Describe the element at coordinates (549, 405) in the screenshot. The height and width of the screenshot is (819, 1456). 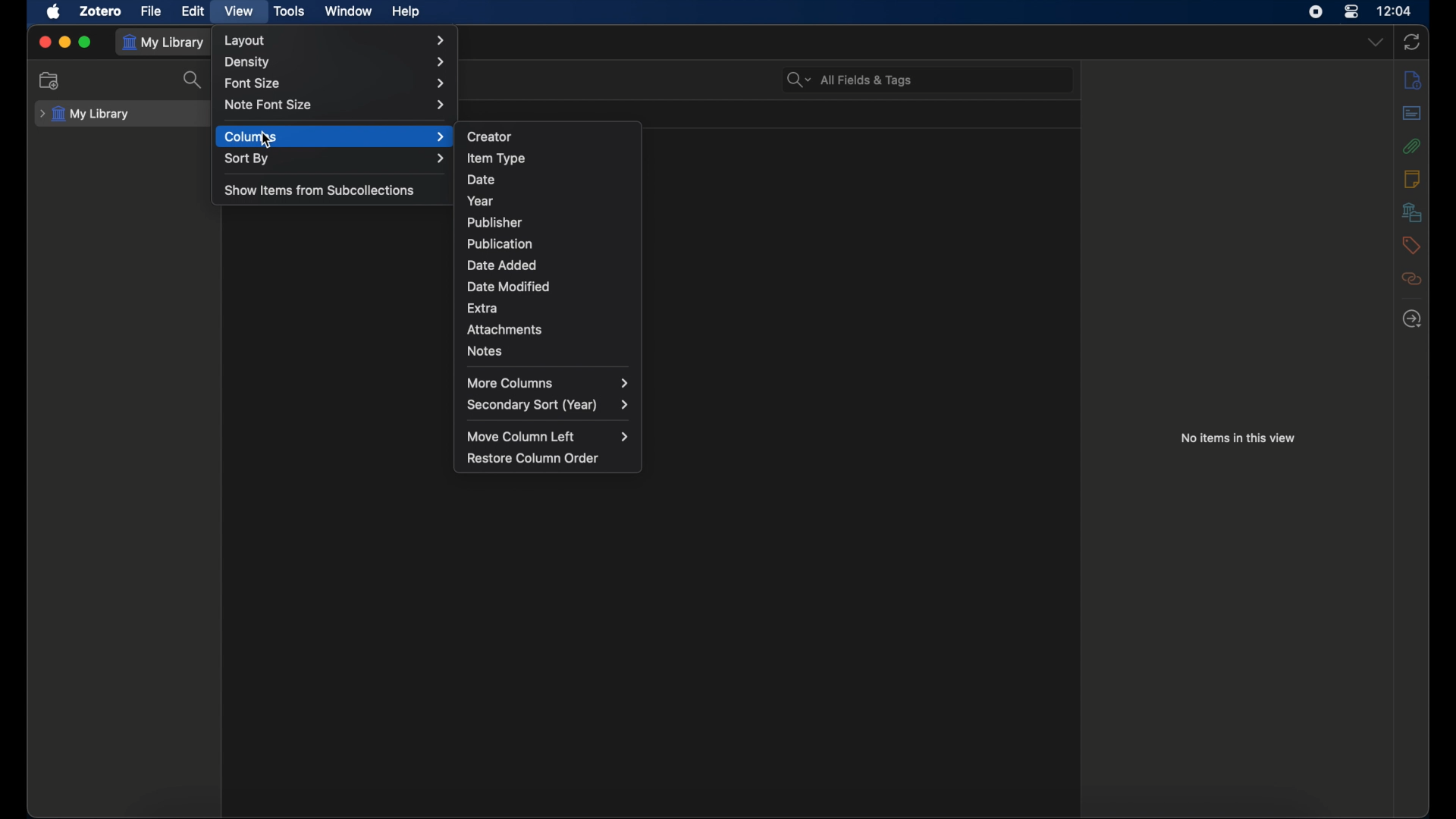
I see `secondary sort` at that location.